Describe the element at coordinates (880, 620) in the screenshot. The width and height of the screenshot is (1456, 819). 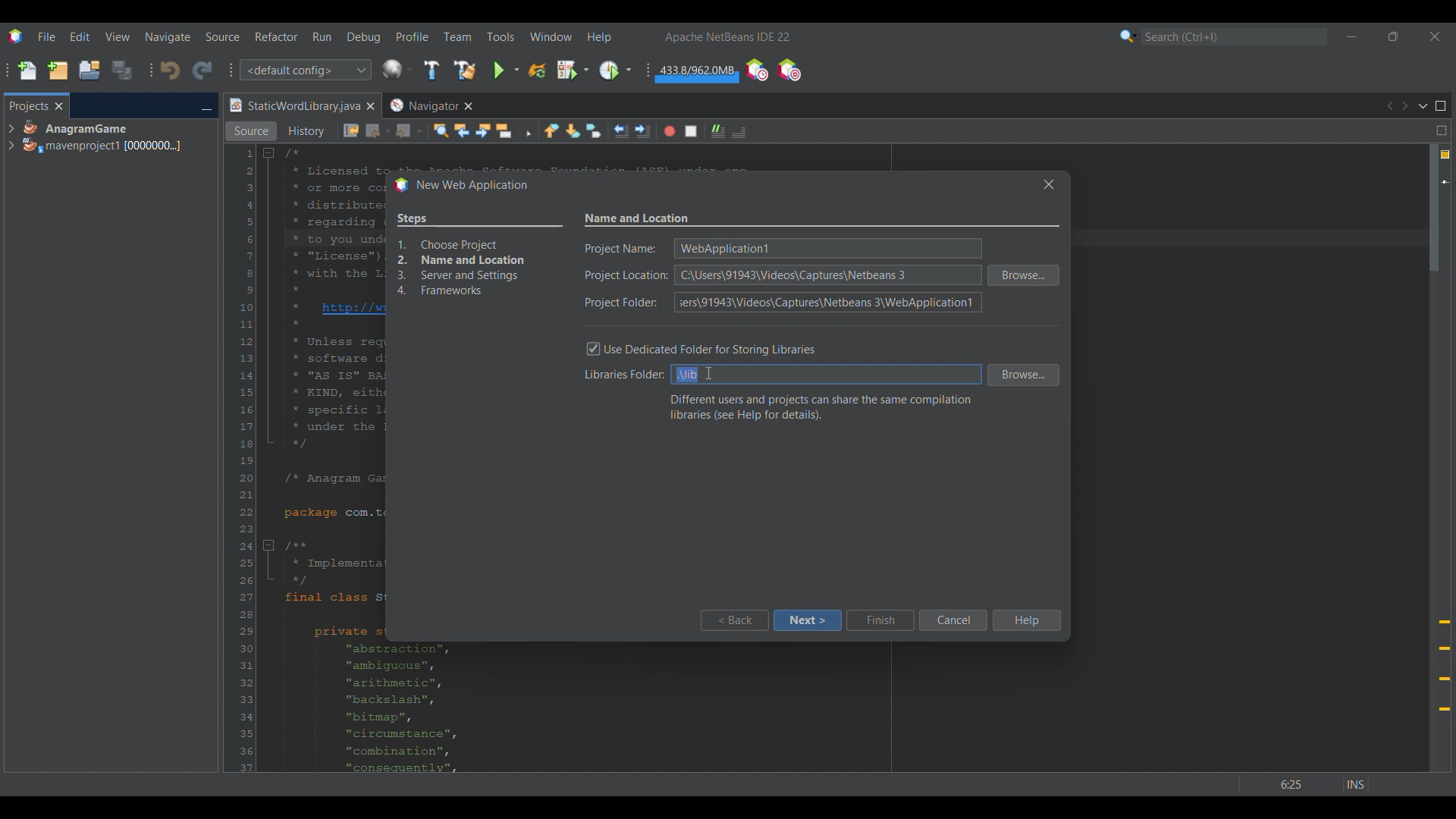
I see `Finish` at that location.